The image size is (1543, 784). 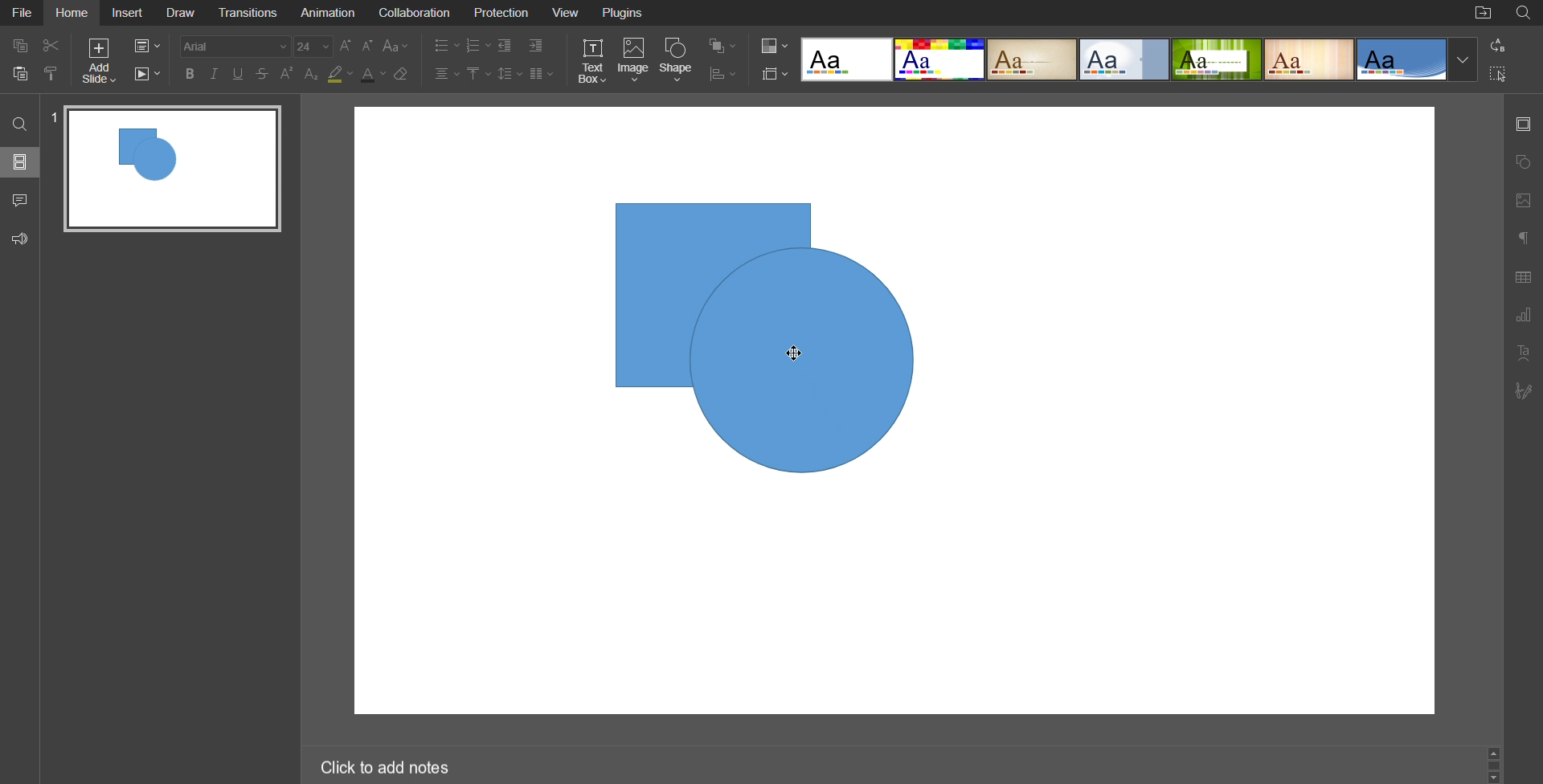 I want to click on Replace, so click(x=1496, y=45).